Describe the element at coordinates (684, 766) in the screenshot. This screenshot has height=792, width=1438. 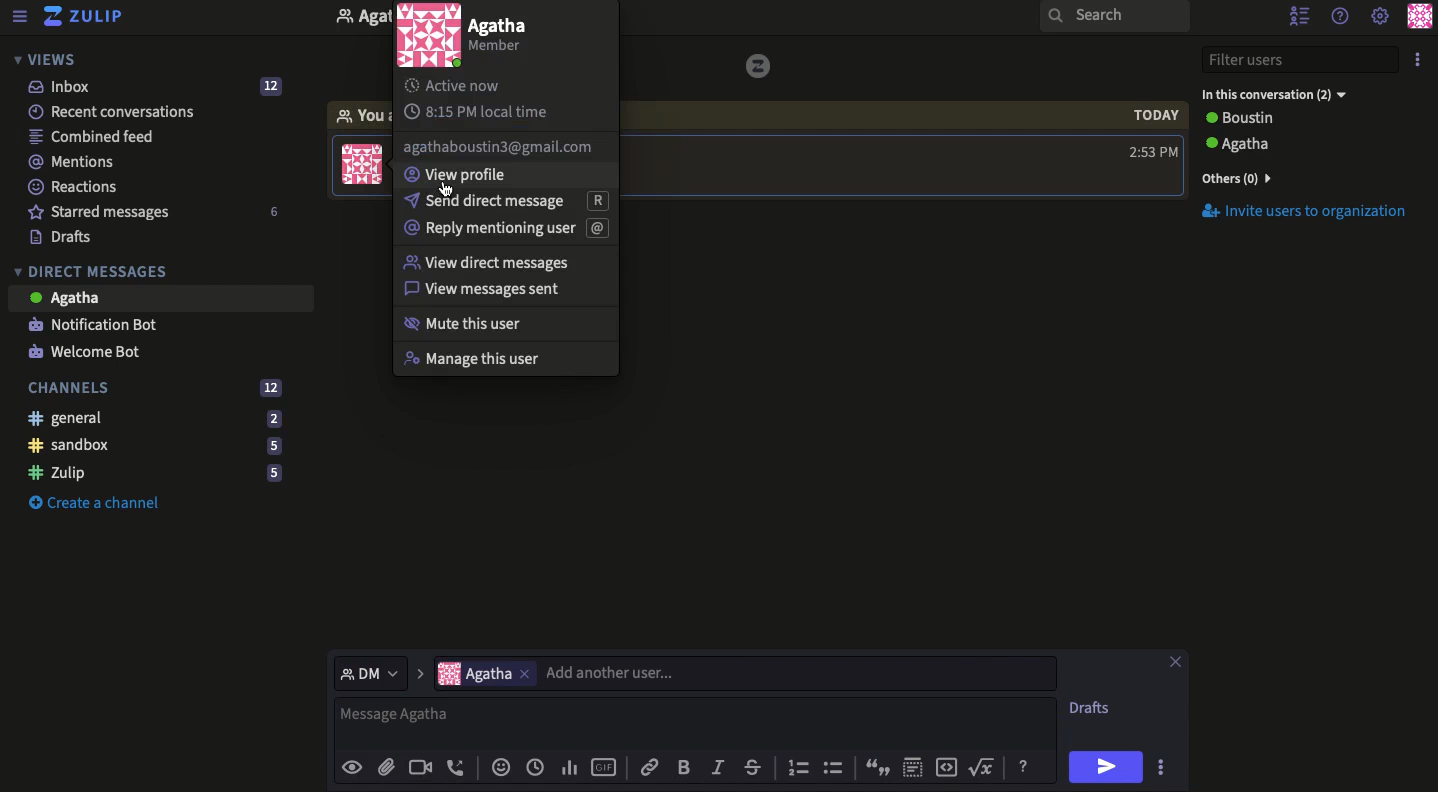
I see `Bold` at that location.